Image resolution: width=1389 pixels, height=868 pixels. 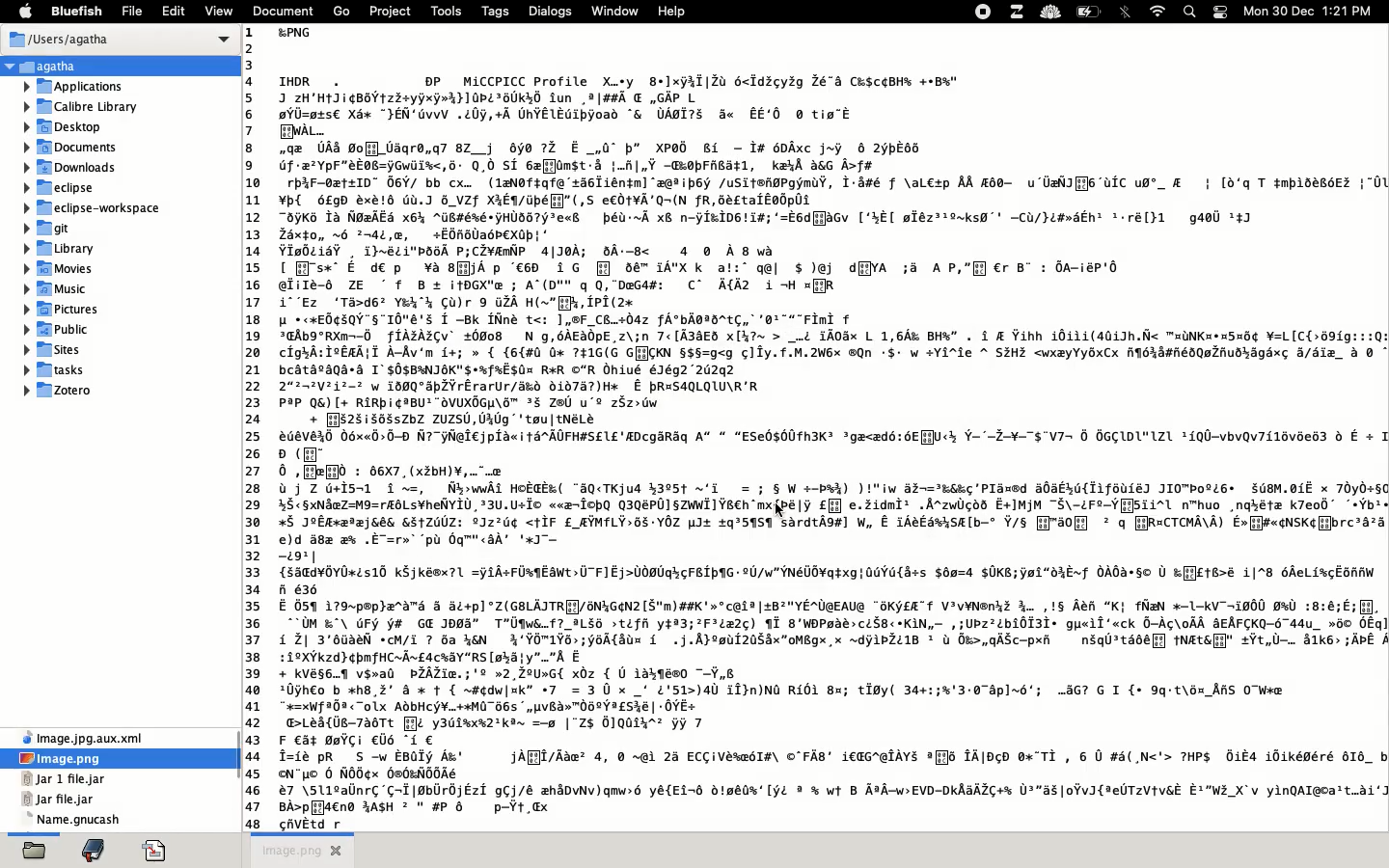 I want to click on eclipse workspace, so click(x=92, y=207).